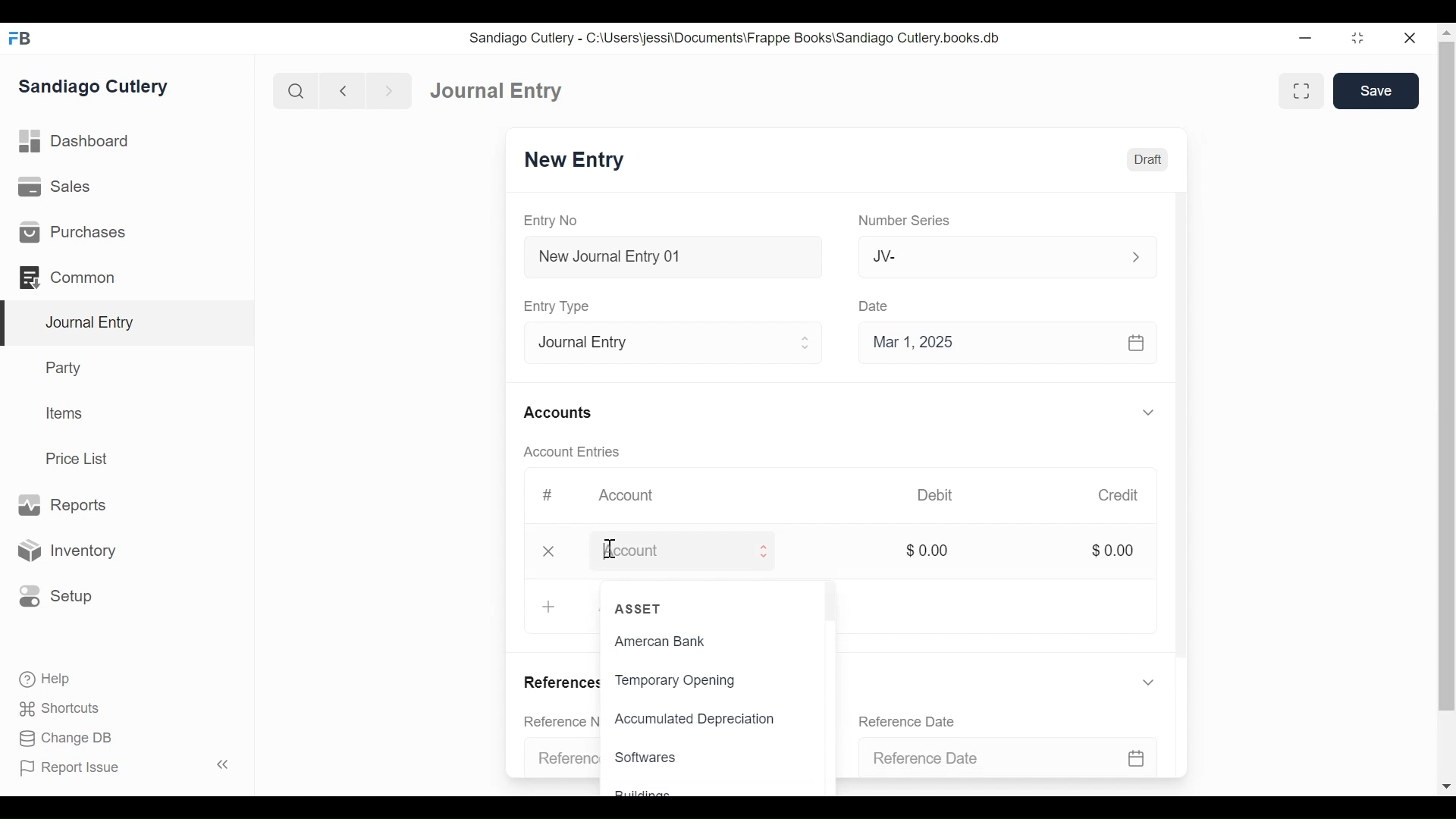  I want to click on Report Issue, so click(76, 769).